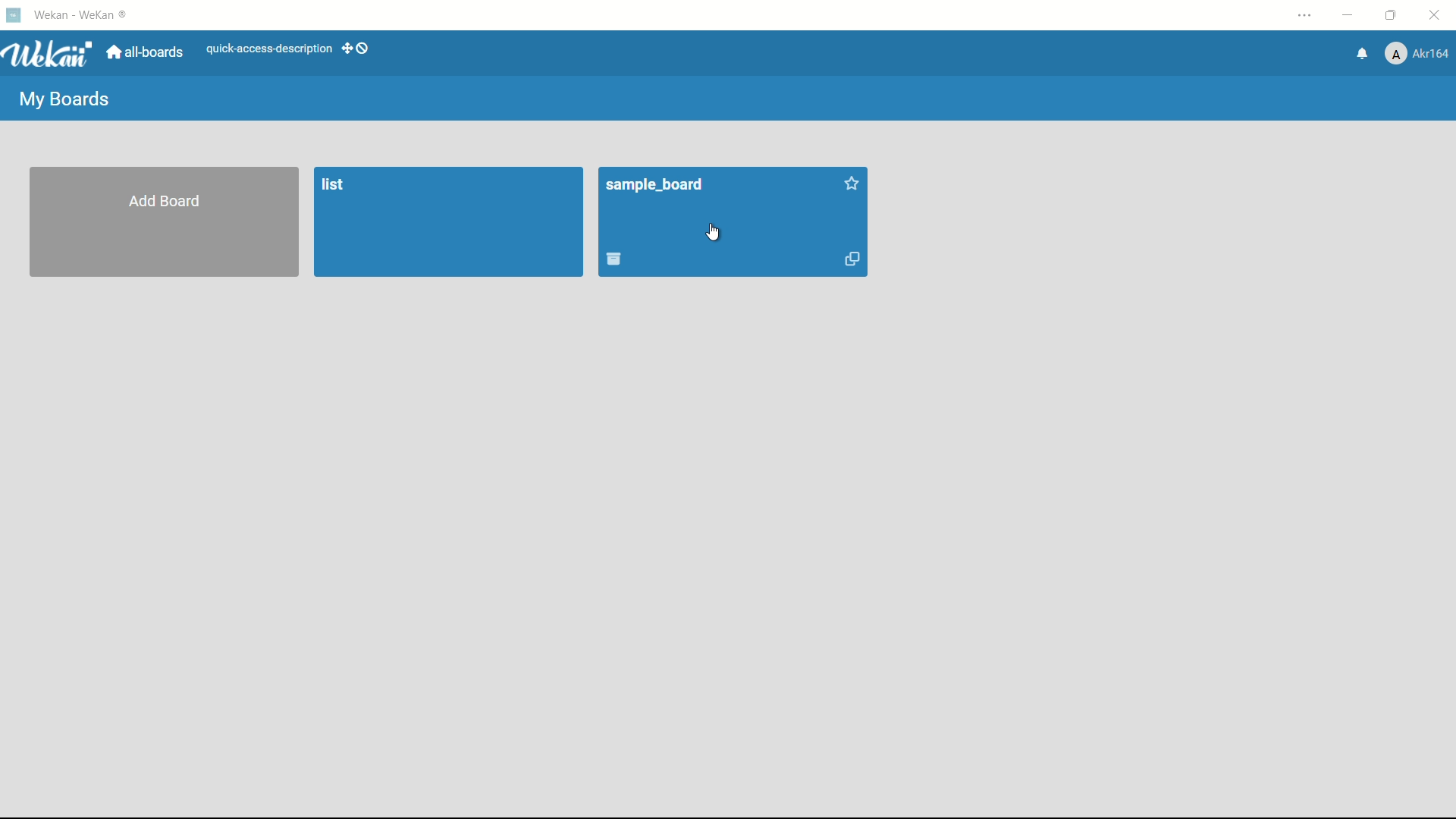  Describe the element at coordinates (613, 259) in the screenshot. I see `archive` at that location.